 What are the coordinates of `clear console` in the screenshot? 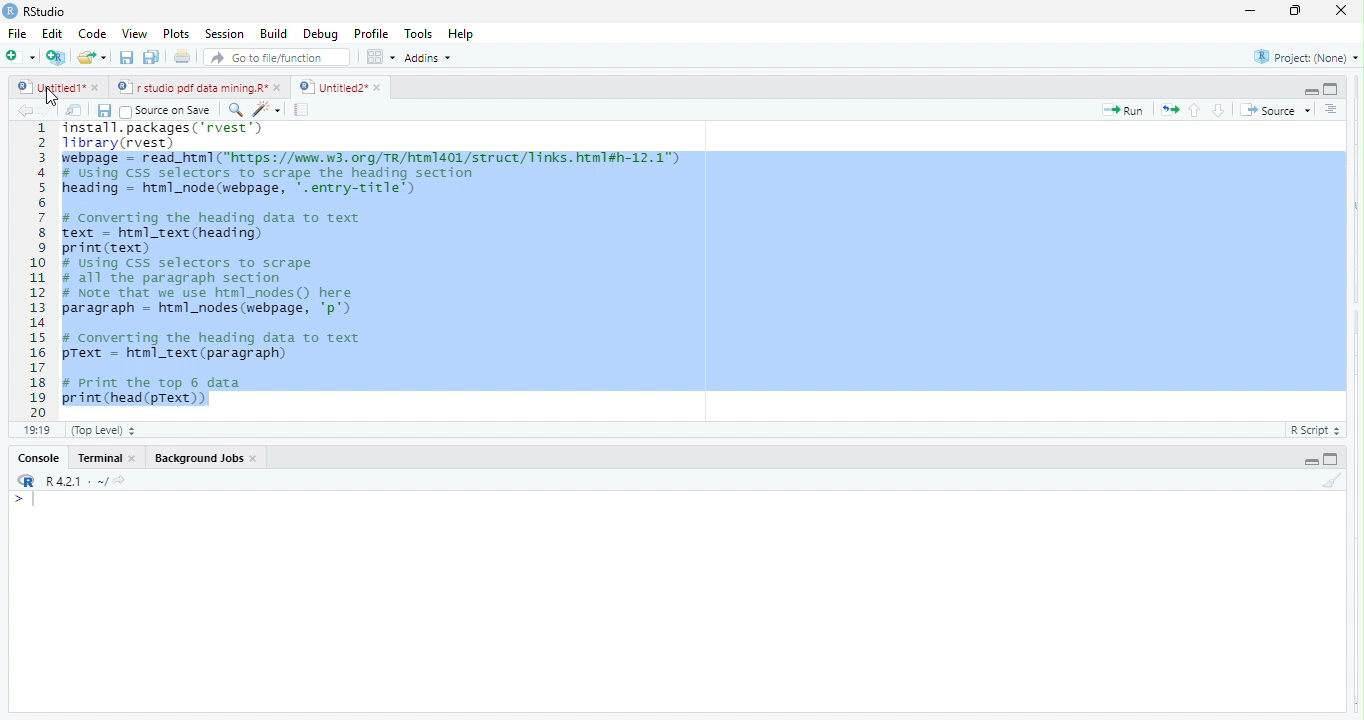 It's located at (1340, 478).